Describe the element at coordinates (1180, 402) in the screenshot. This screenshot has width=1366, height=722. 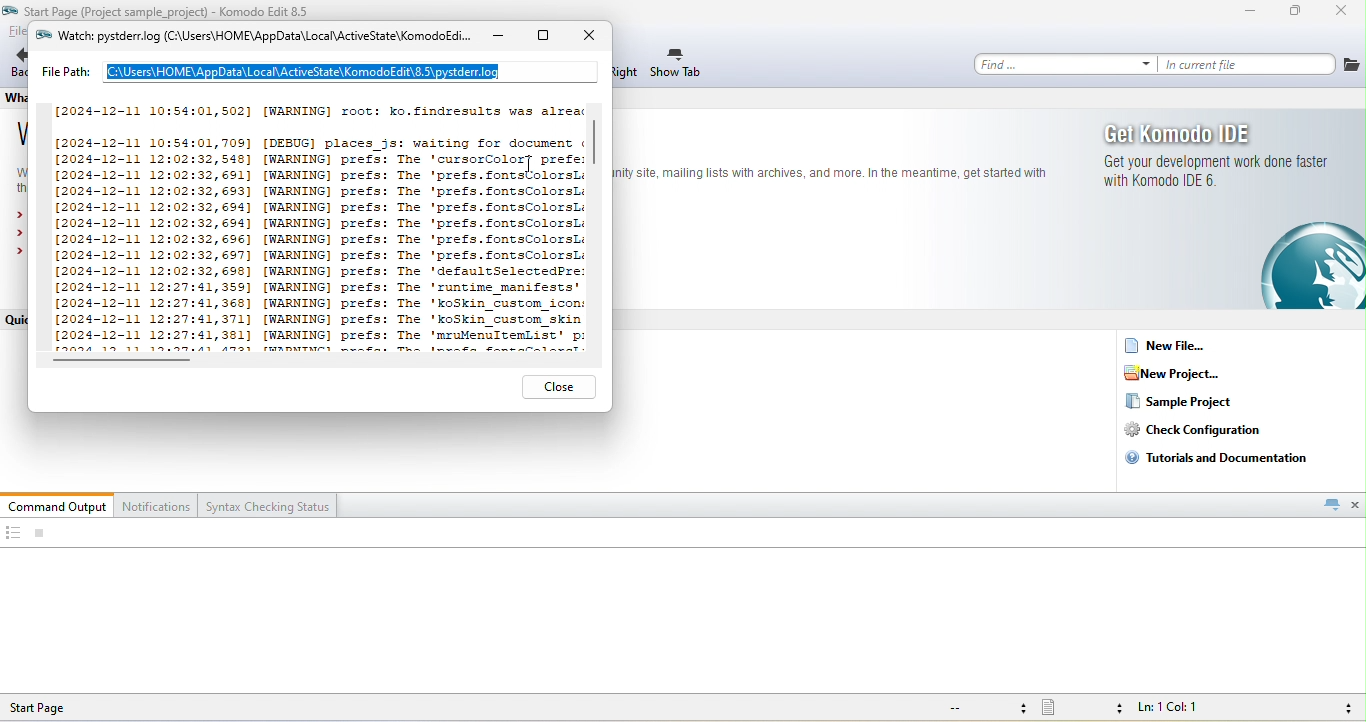
I see `sample project` at that location.